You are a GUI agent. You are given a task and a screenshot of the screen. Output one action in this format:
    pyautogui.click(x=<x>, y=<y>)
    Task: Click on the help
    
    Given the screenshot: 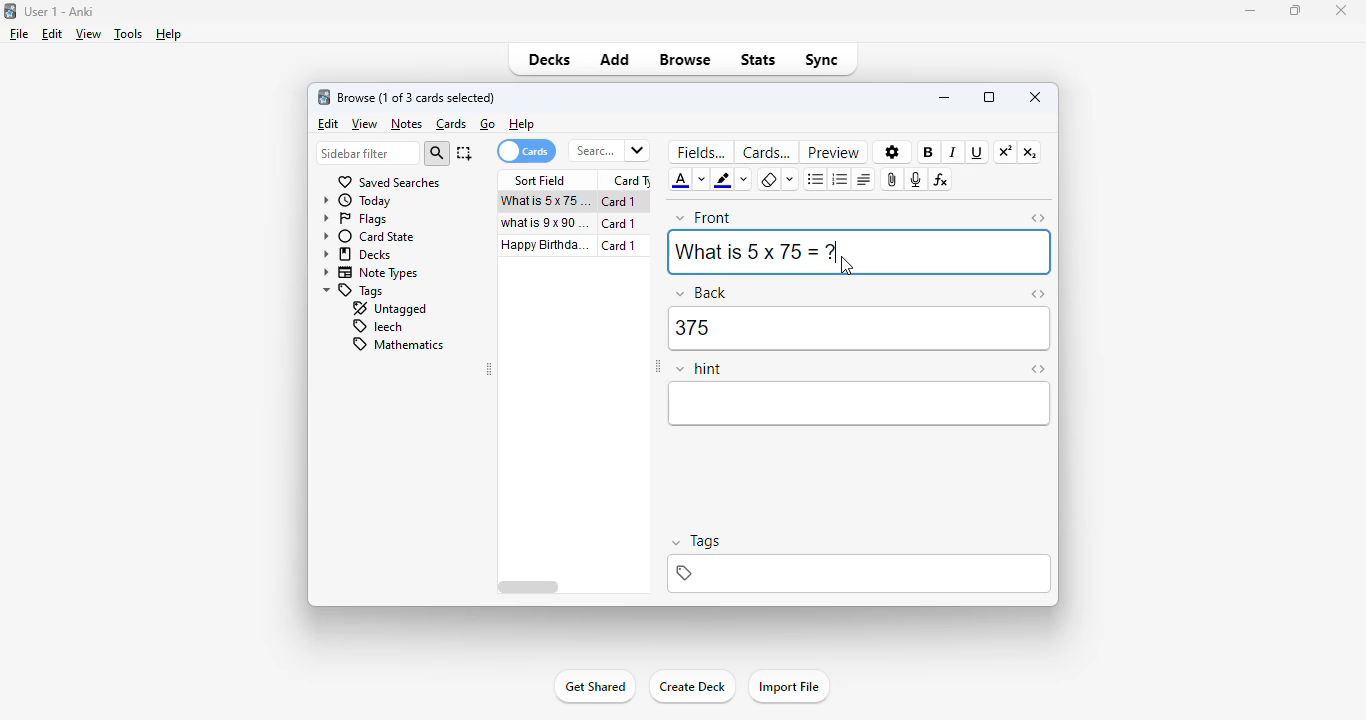 What is the action you would take?
    pyautogui.click(x=522, y=124)
    